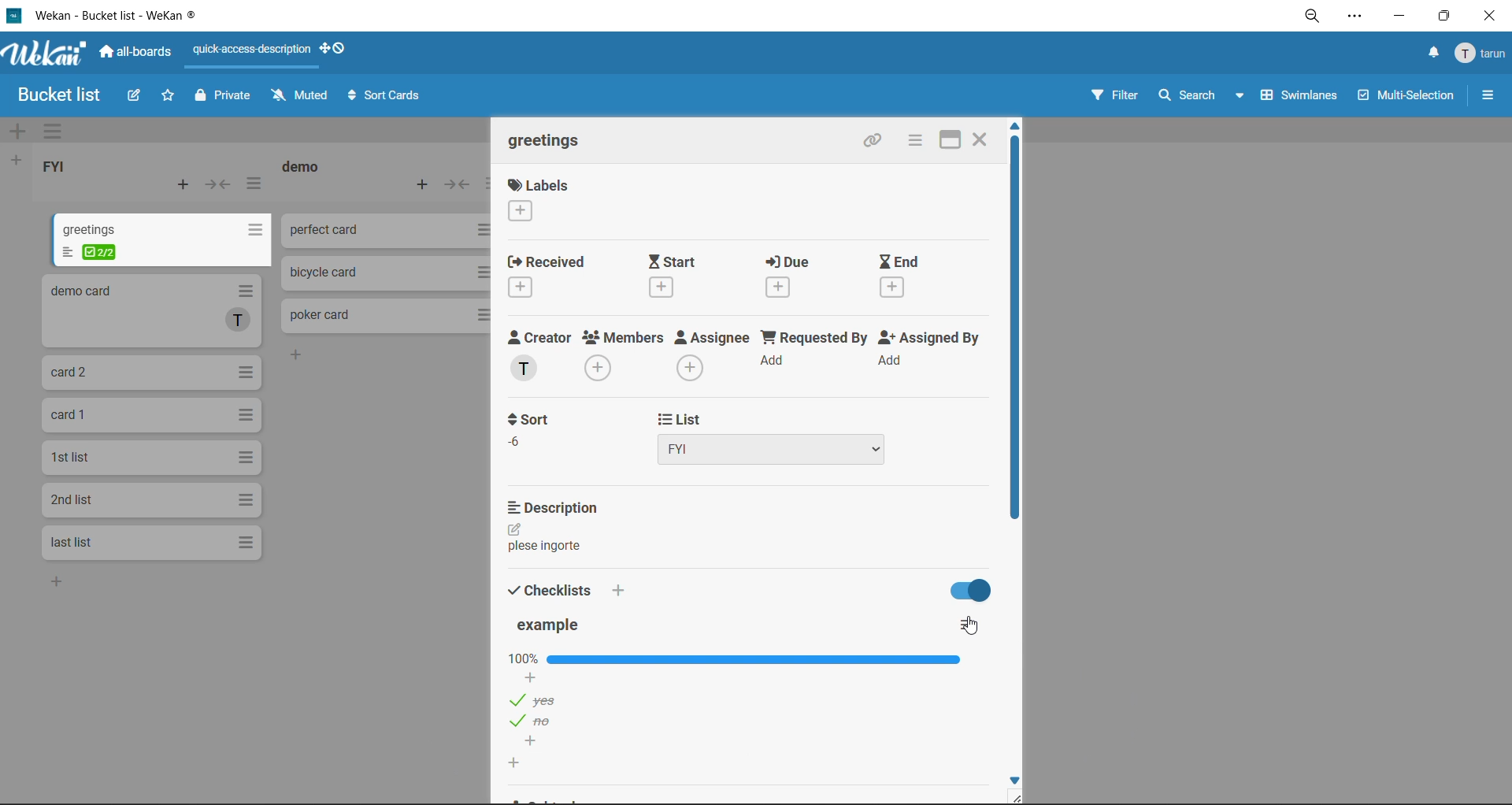 The height and width of the screenshot is (805, 1512). What do you see at coordinates (969, 628) in the screenshot?
I see `cursor` at bounding box center [969, 628].